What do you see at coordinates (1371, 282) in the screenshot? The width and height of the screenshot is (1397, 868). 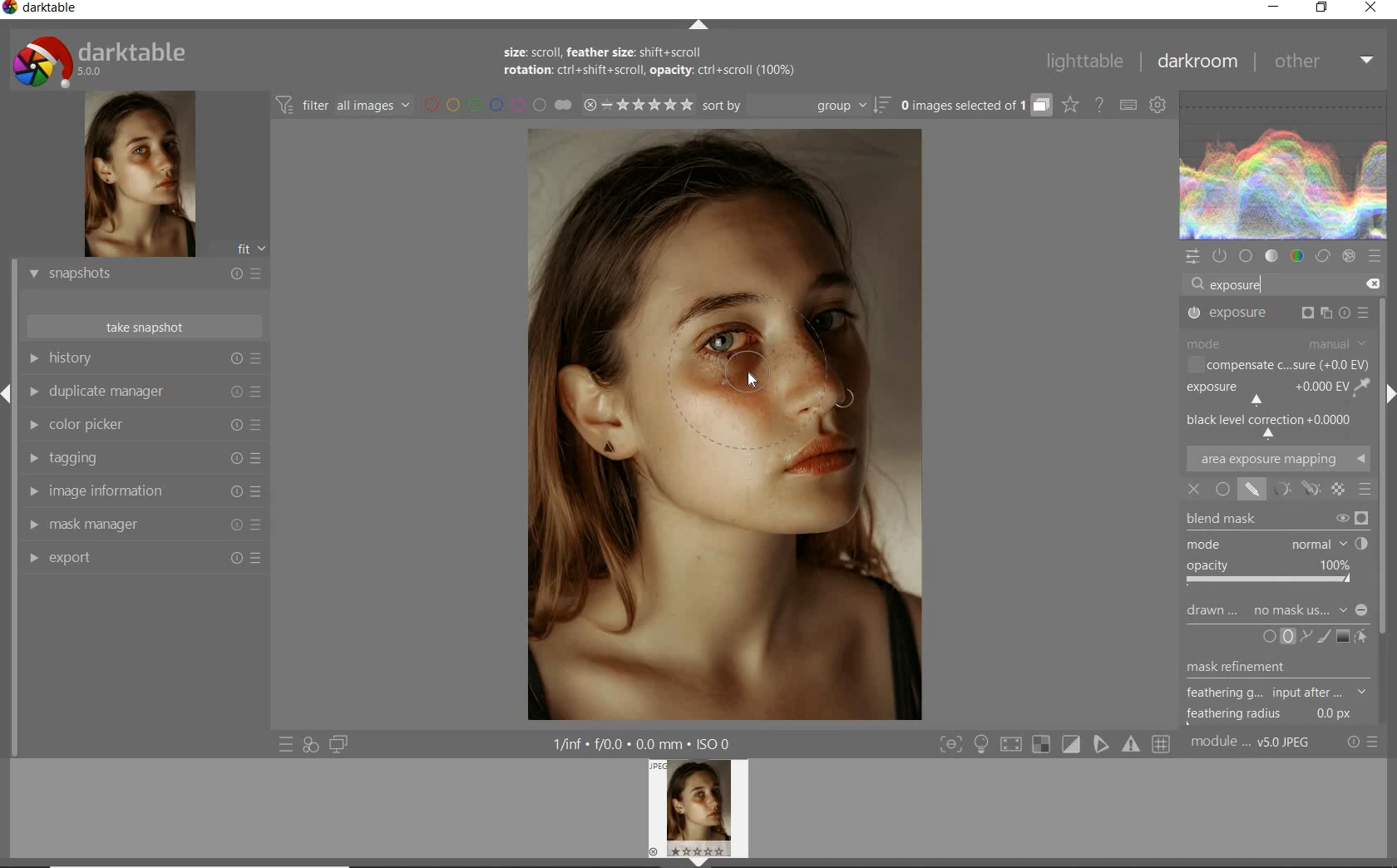 I see `DELETE` at bounding box center [1371, 282].